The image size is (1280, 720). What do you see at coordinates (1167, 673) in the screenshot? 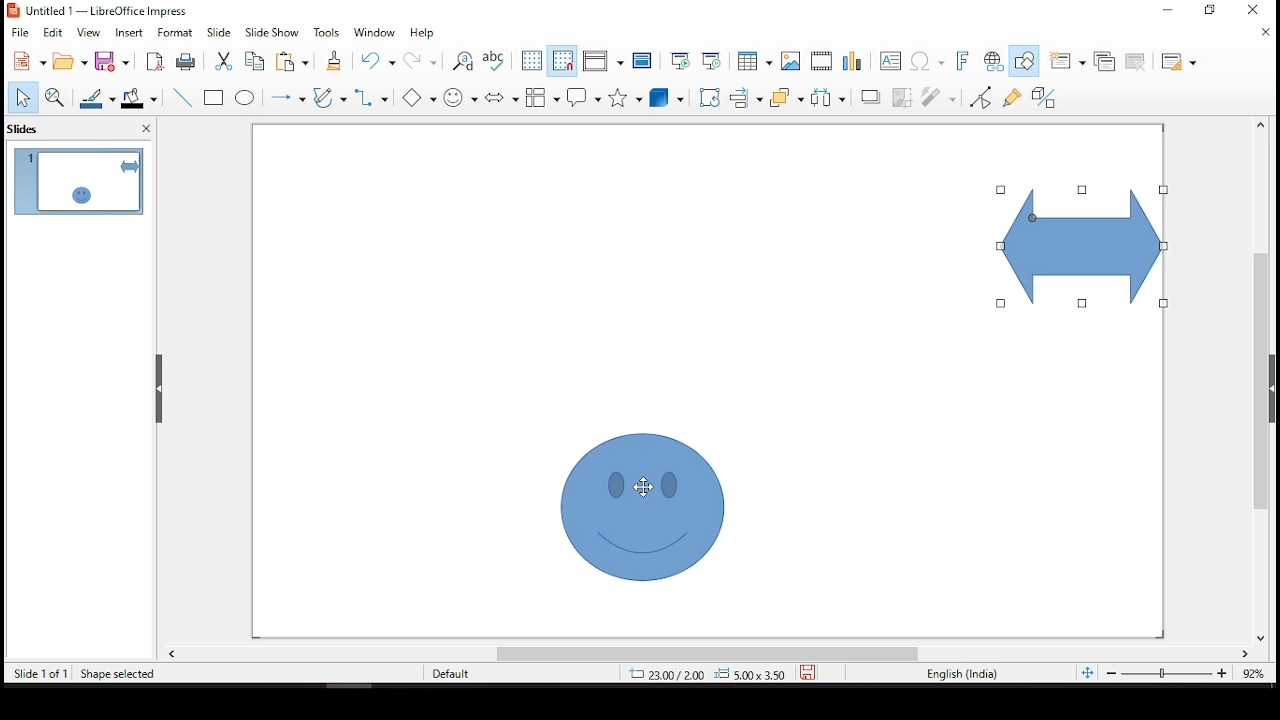
I see `zoom slider` at bounding box center [1167, 673].